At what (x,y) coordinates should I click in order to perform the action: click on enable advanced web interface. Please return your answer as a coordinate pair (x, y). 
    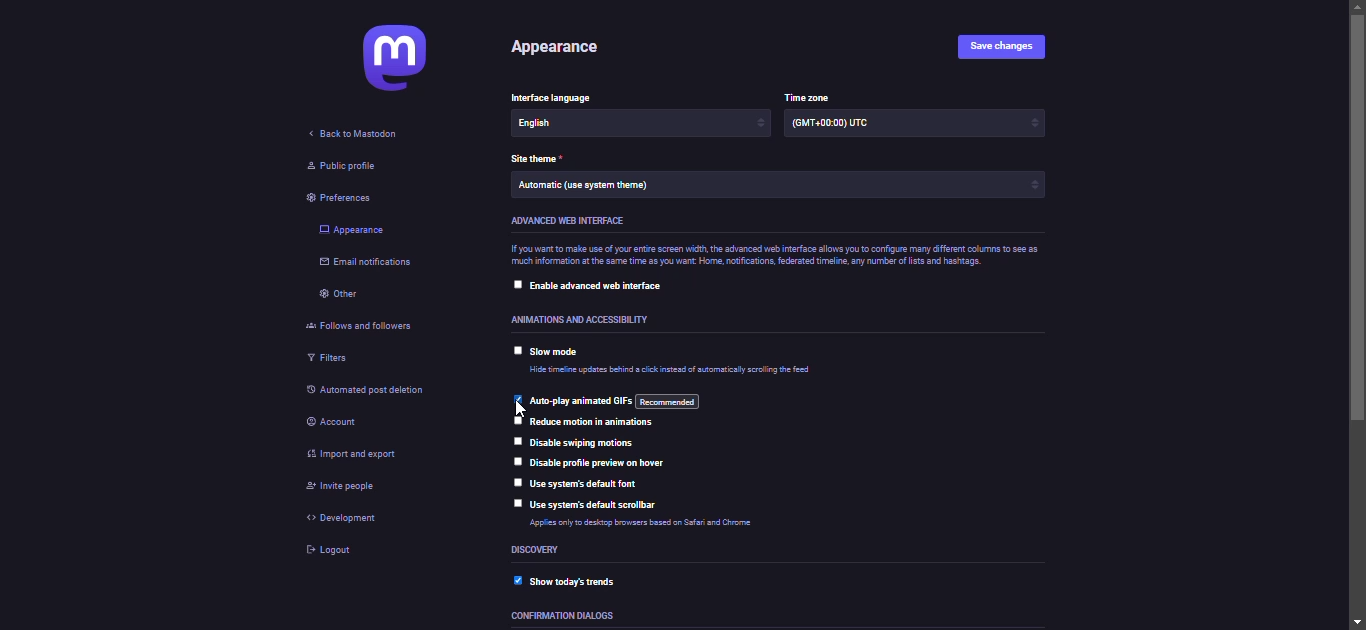
    Looking at the image, I should click on (605, 287).